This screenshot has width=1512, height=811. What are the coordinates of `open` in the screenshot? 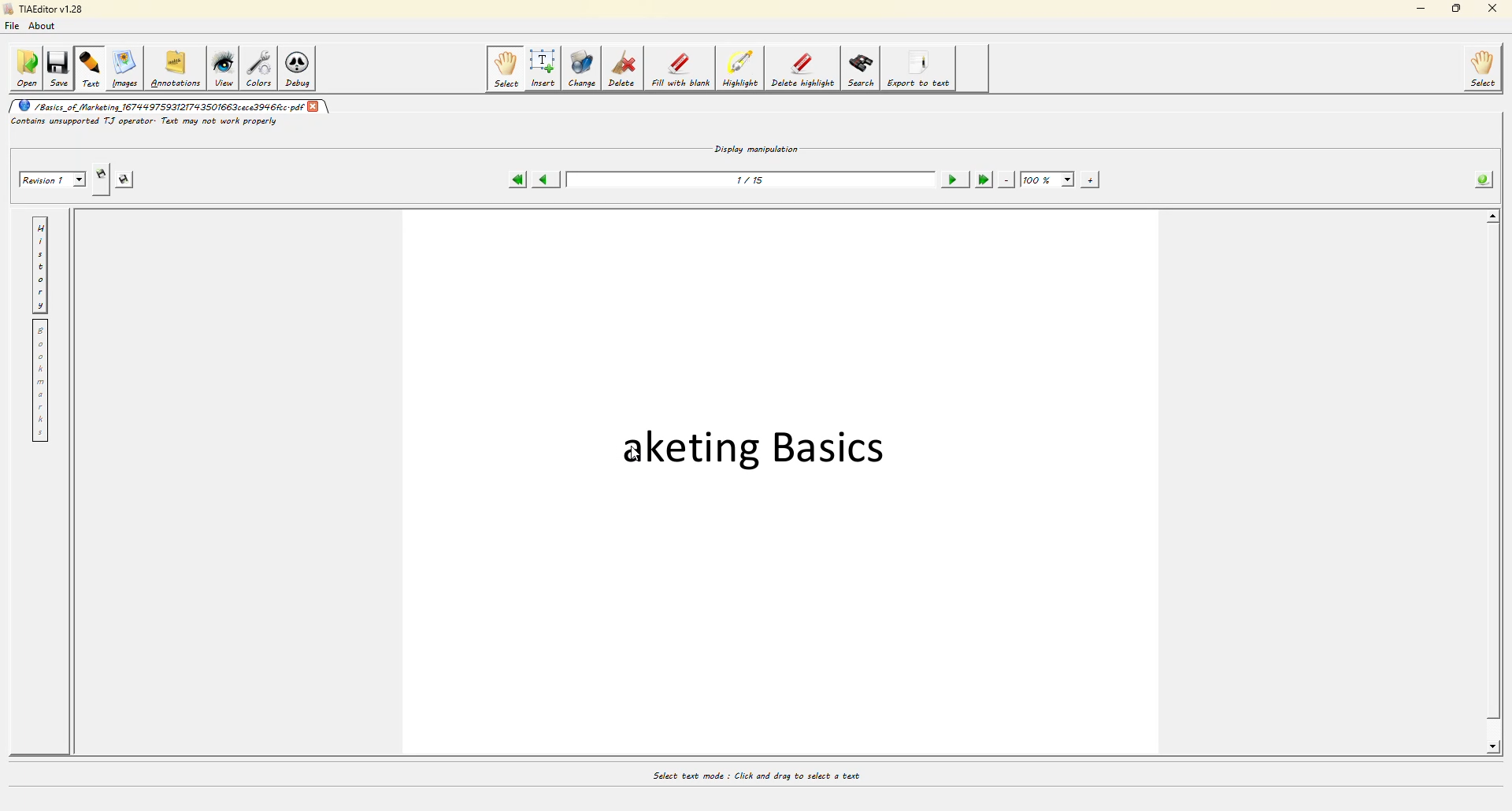 It's located at (26, 68).